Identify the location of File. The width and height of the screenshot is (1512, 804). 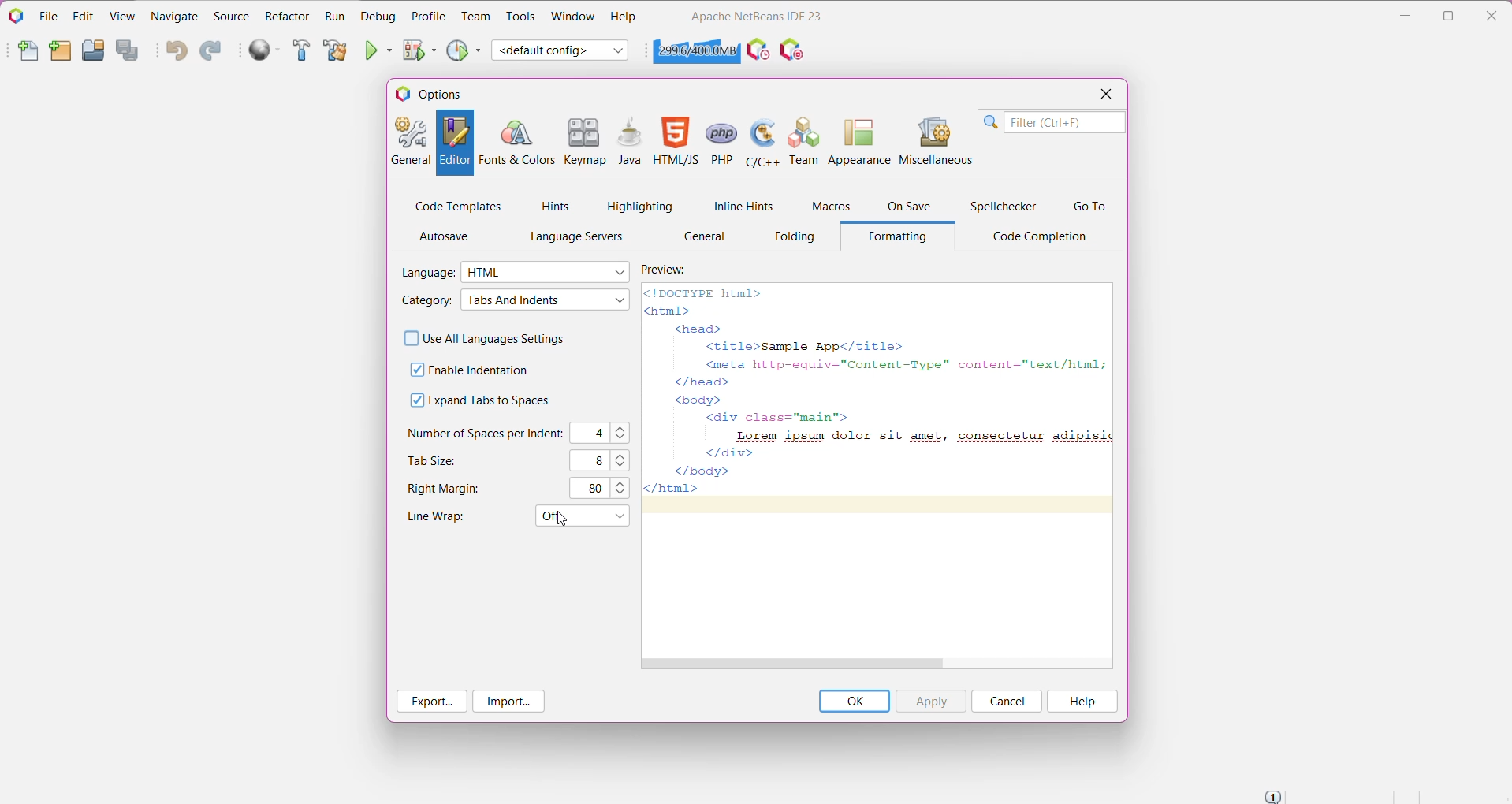
(49, 17).